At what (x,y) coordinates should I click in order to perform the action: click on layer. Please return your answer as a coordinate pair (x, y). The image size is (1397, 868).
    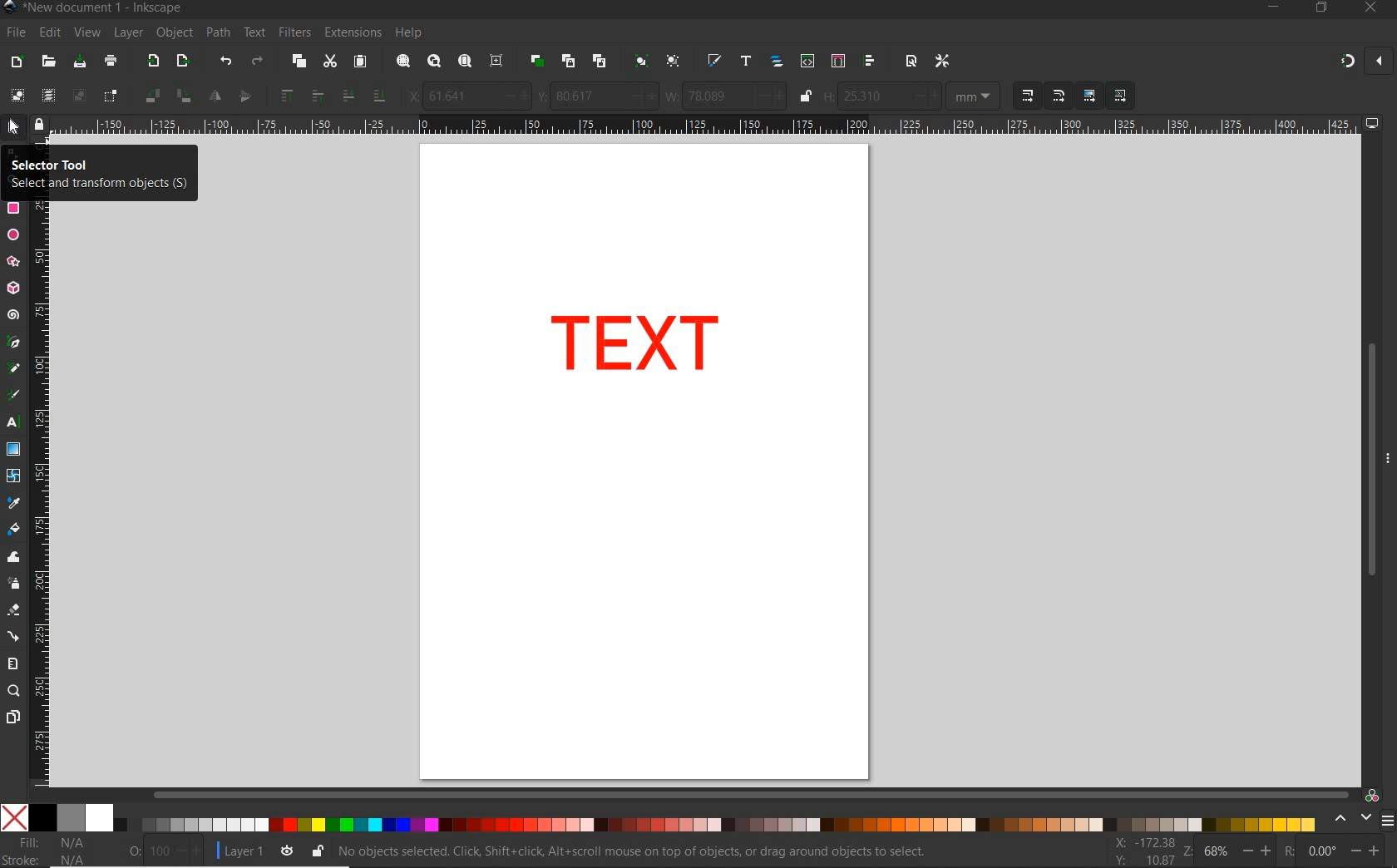
    Looking at the image, I should click on (129, 33).